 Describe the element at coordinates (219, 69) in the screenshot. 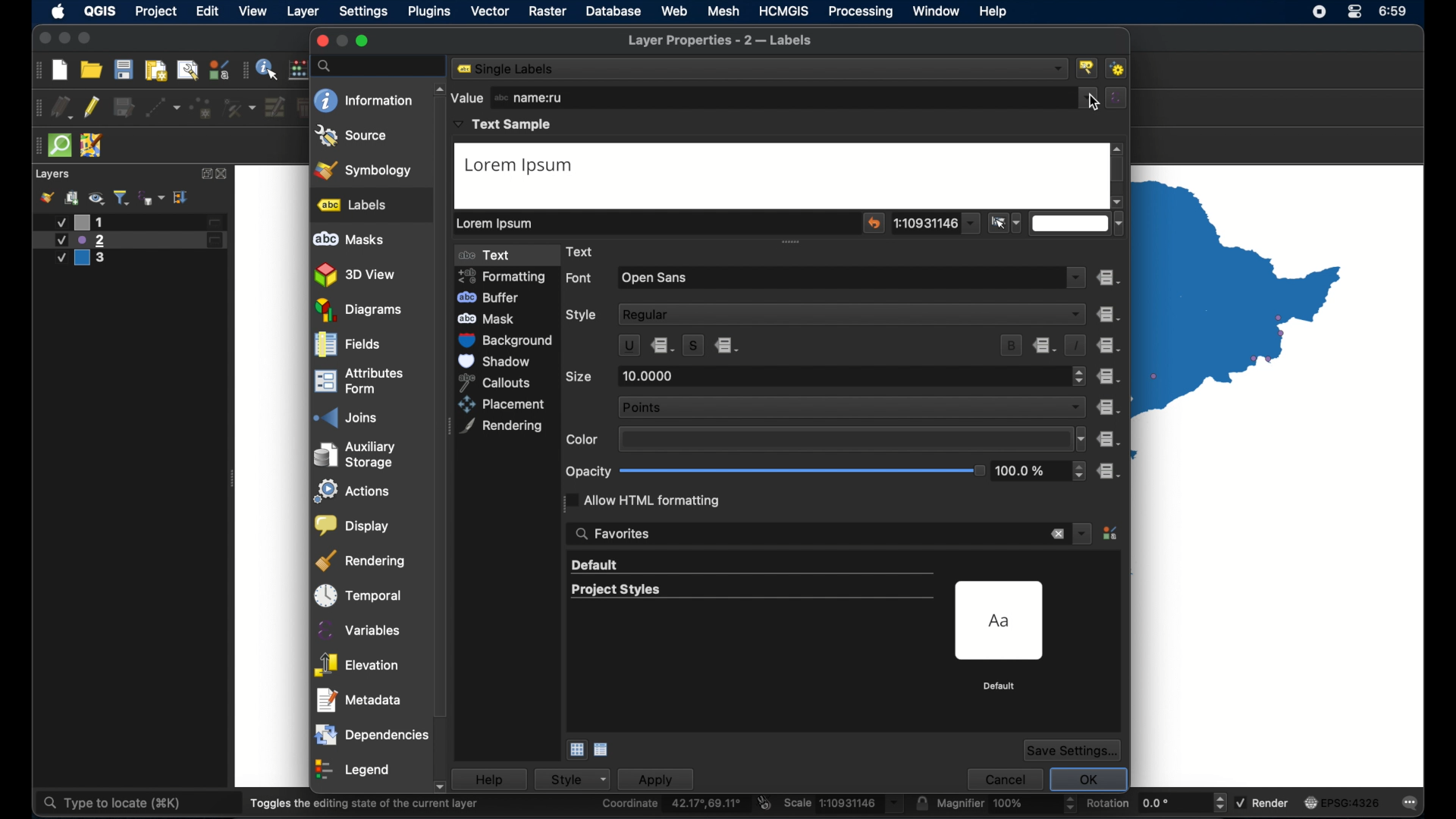

I see `style manager` at that location.